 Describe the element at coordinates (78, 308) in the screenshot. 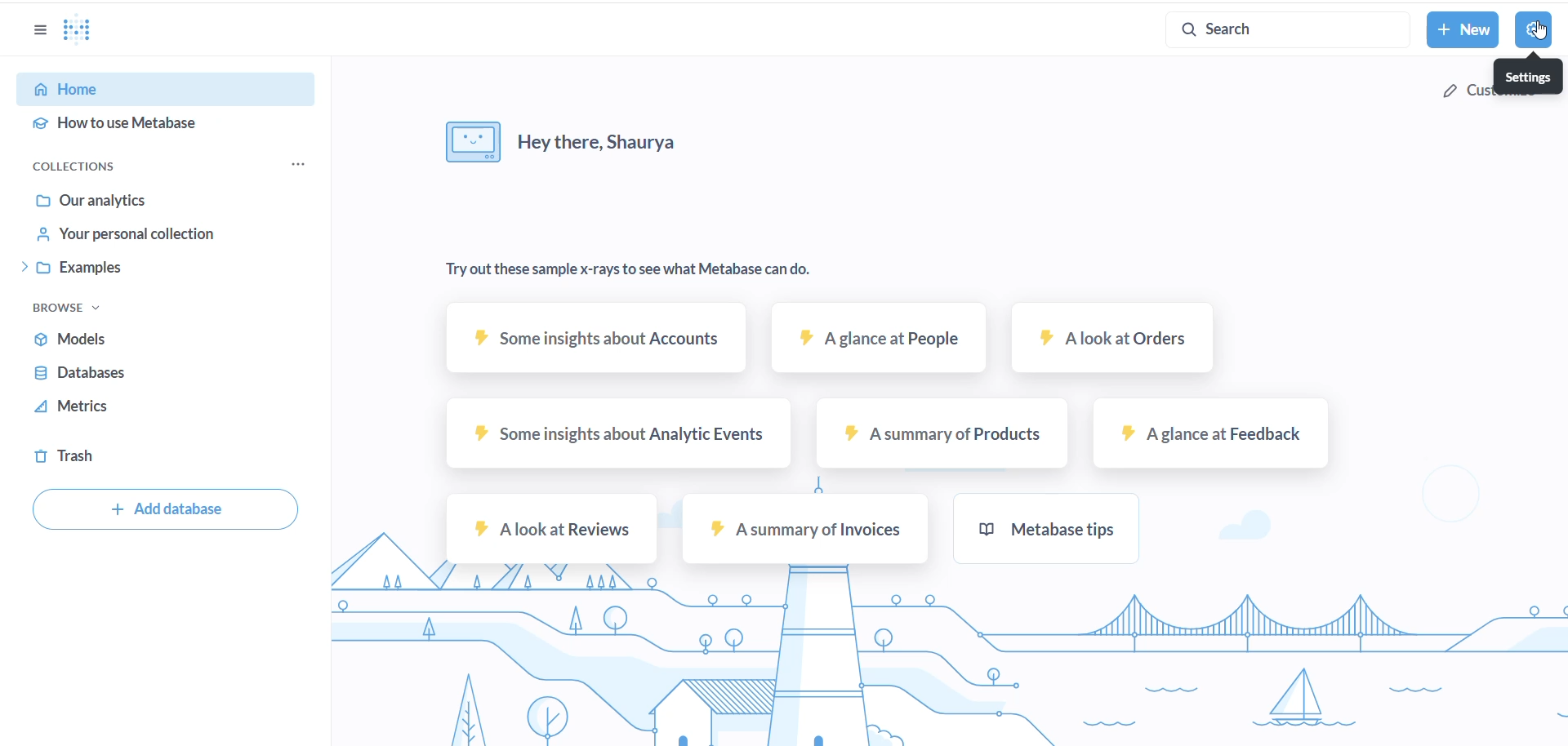

I see `browse` at that location.